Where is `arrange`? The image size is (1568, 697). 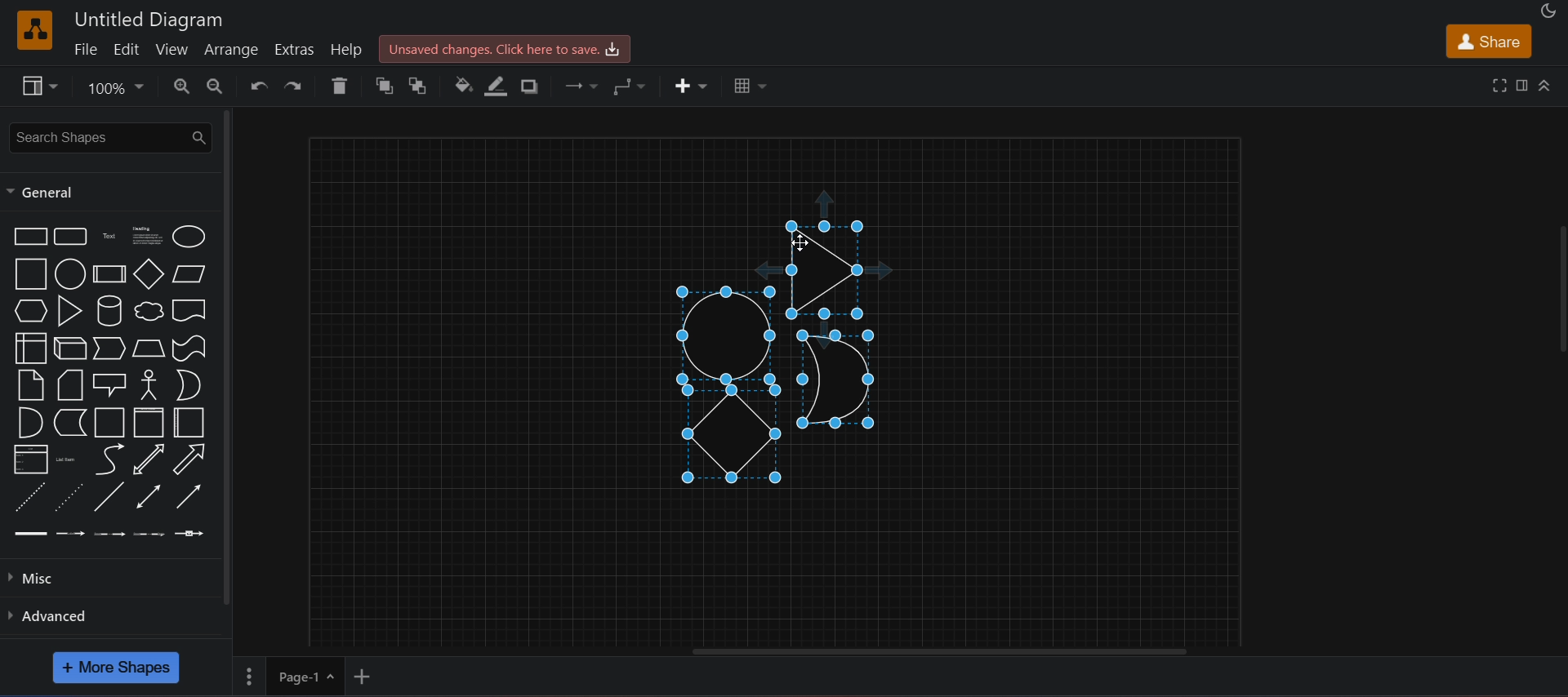
arrange is located at coordinates (234, 49).